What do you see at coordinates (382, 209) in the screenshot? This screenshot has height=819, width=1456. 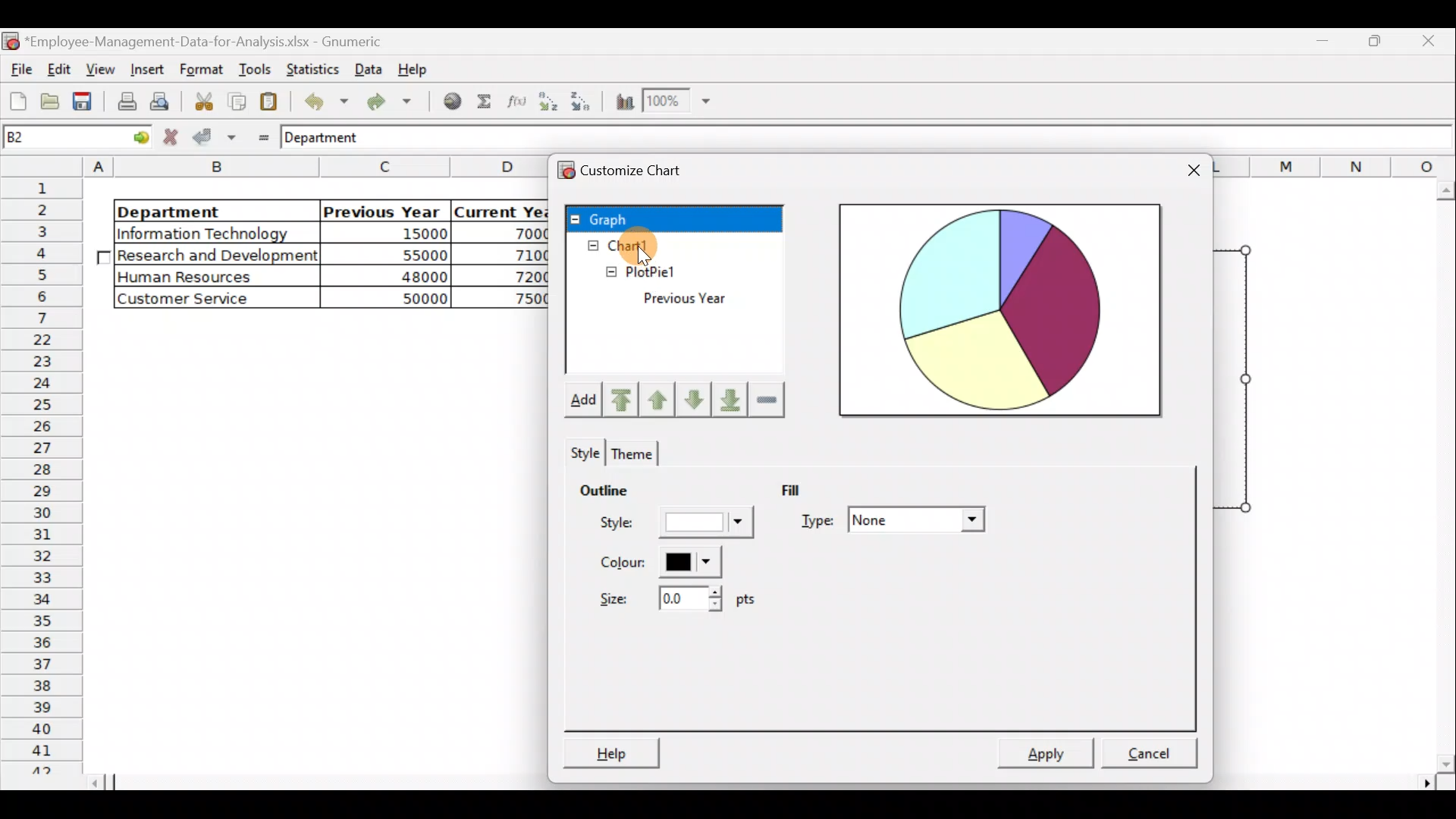 I see `Previous Year` at bounding box center [382, 209].